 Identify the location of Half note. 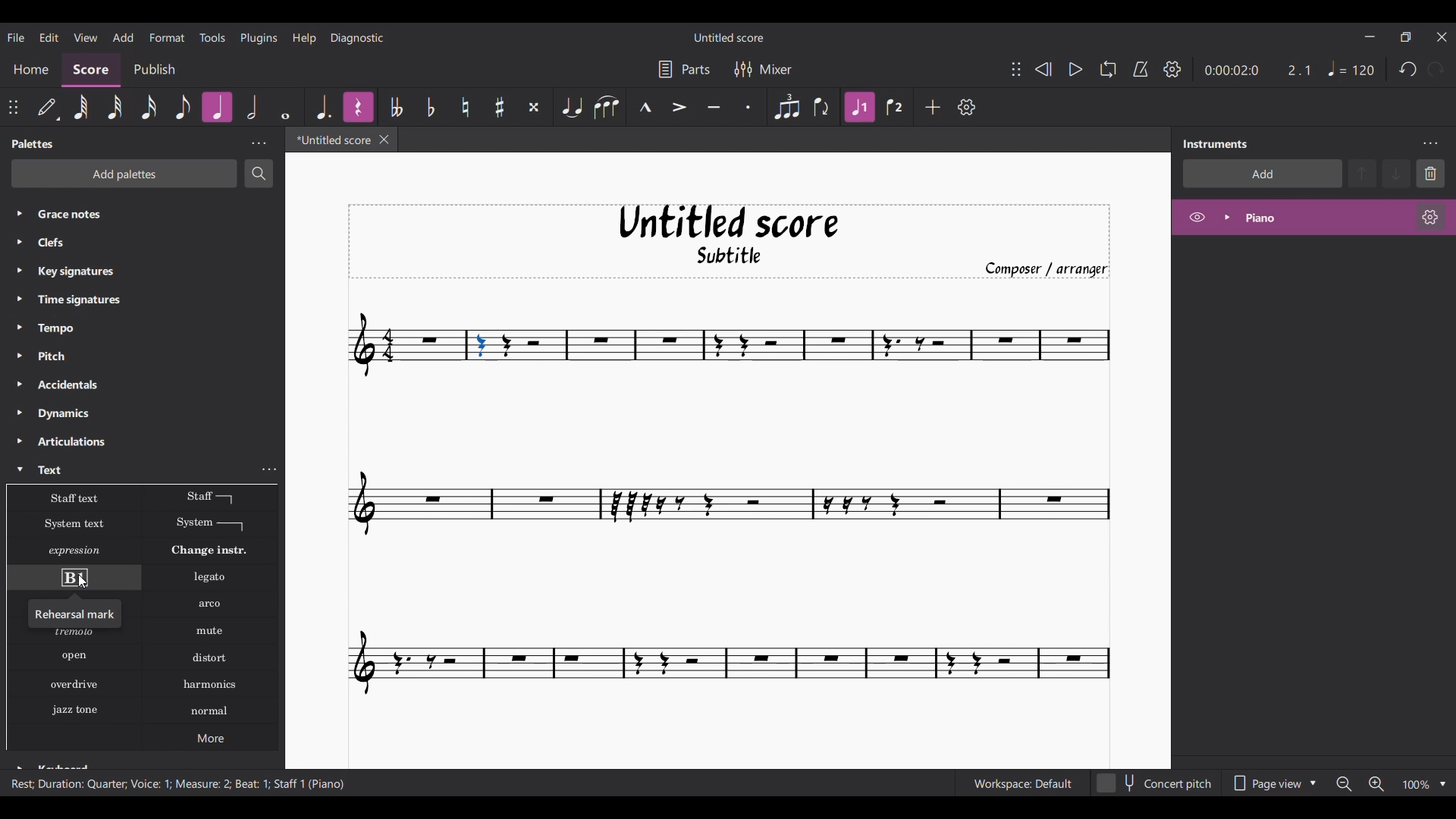
(252, 107).